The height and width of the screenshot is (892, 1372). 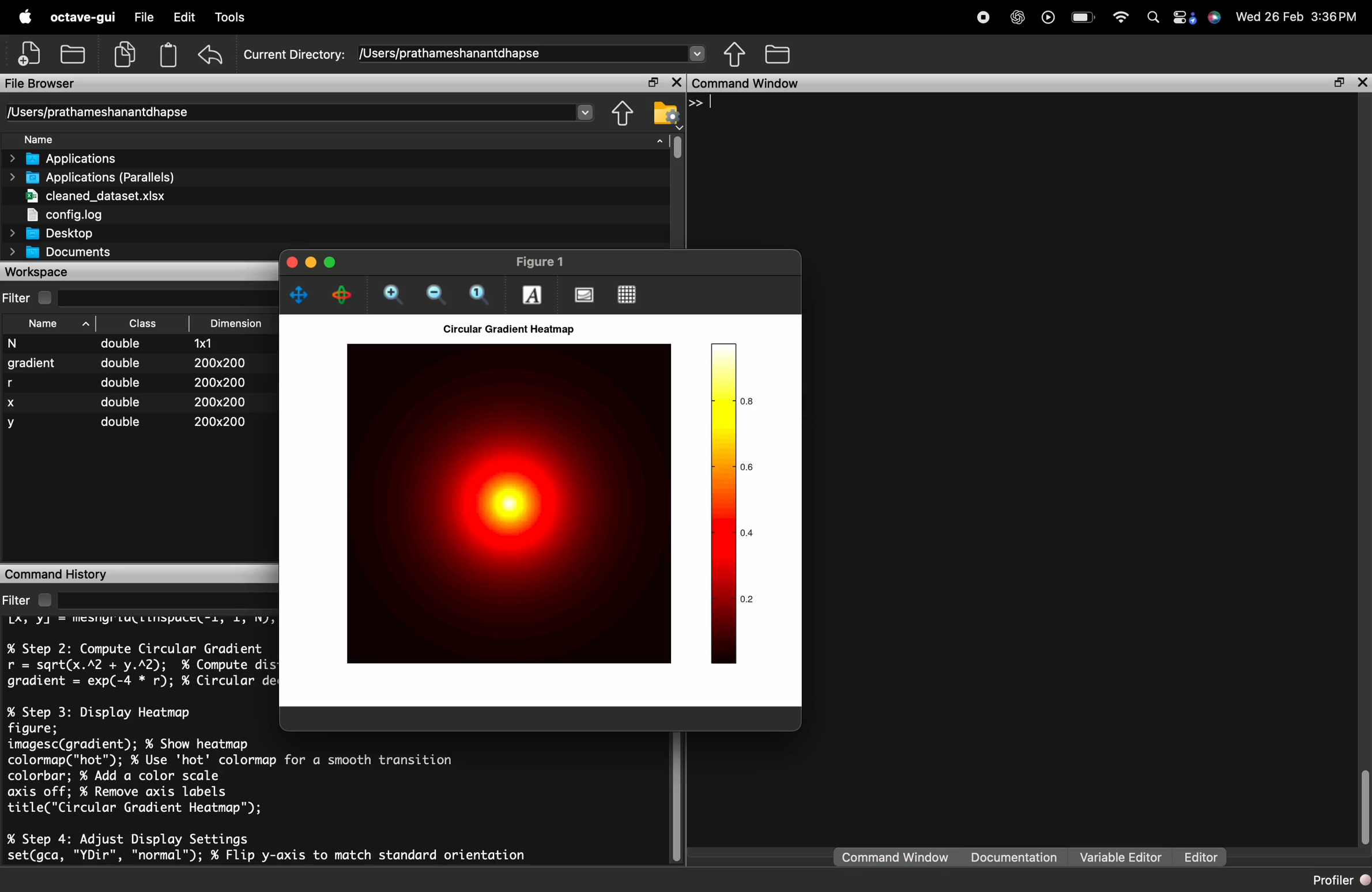 What do you see at coordinates (126, 402) in the screenshot?
I see `double` at bounding box center [126, 402].